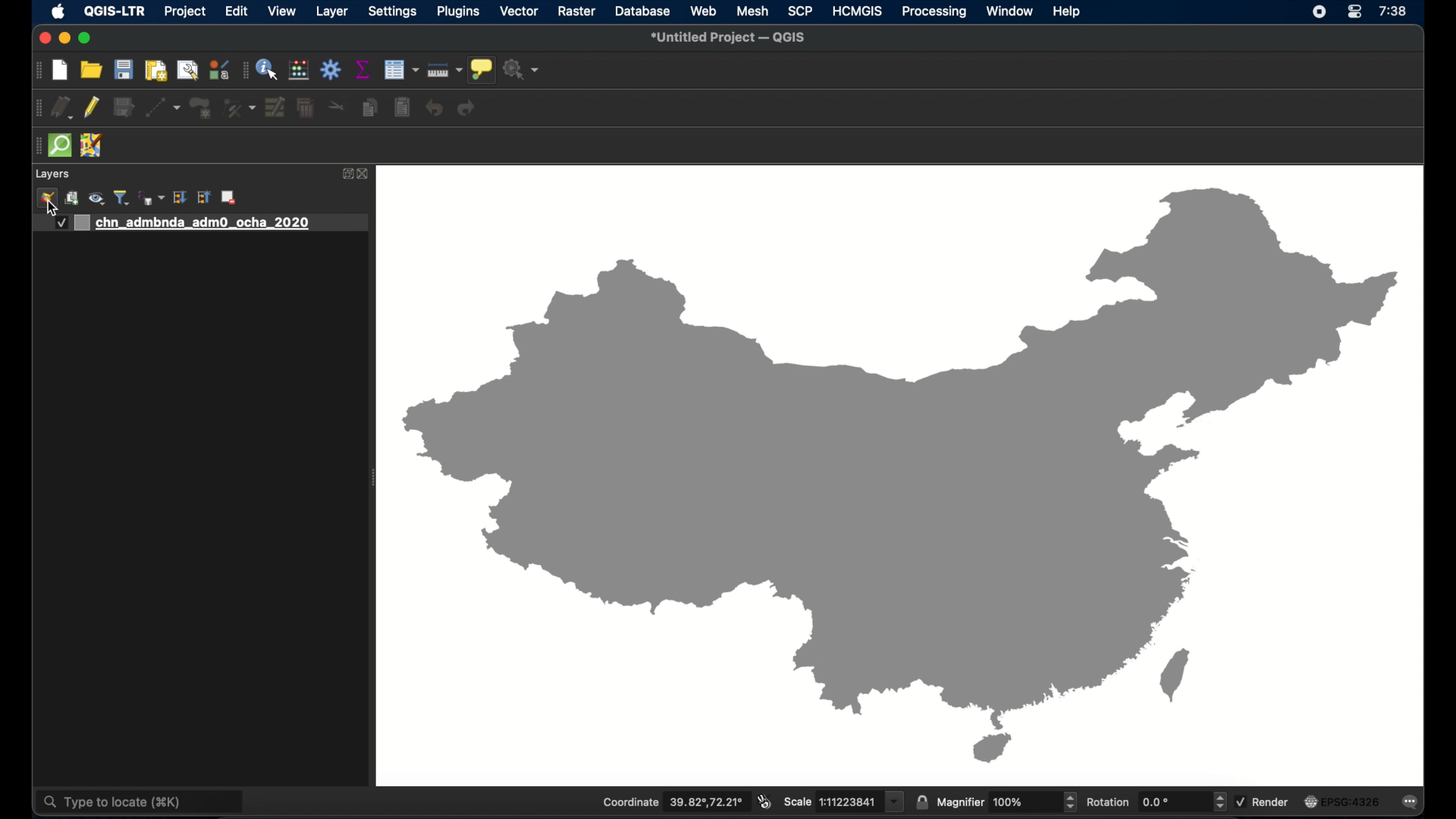 The image size is (1456, 819). Describe the element at coordinates (331, 70) in the screenshot. I see `toolbox` at that location.